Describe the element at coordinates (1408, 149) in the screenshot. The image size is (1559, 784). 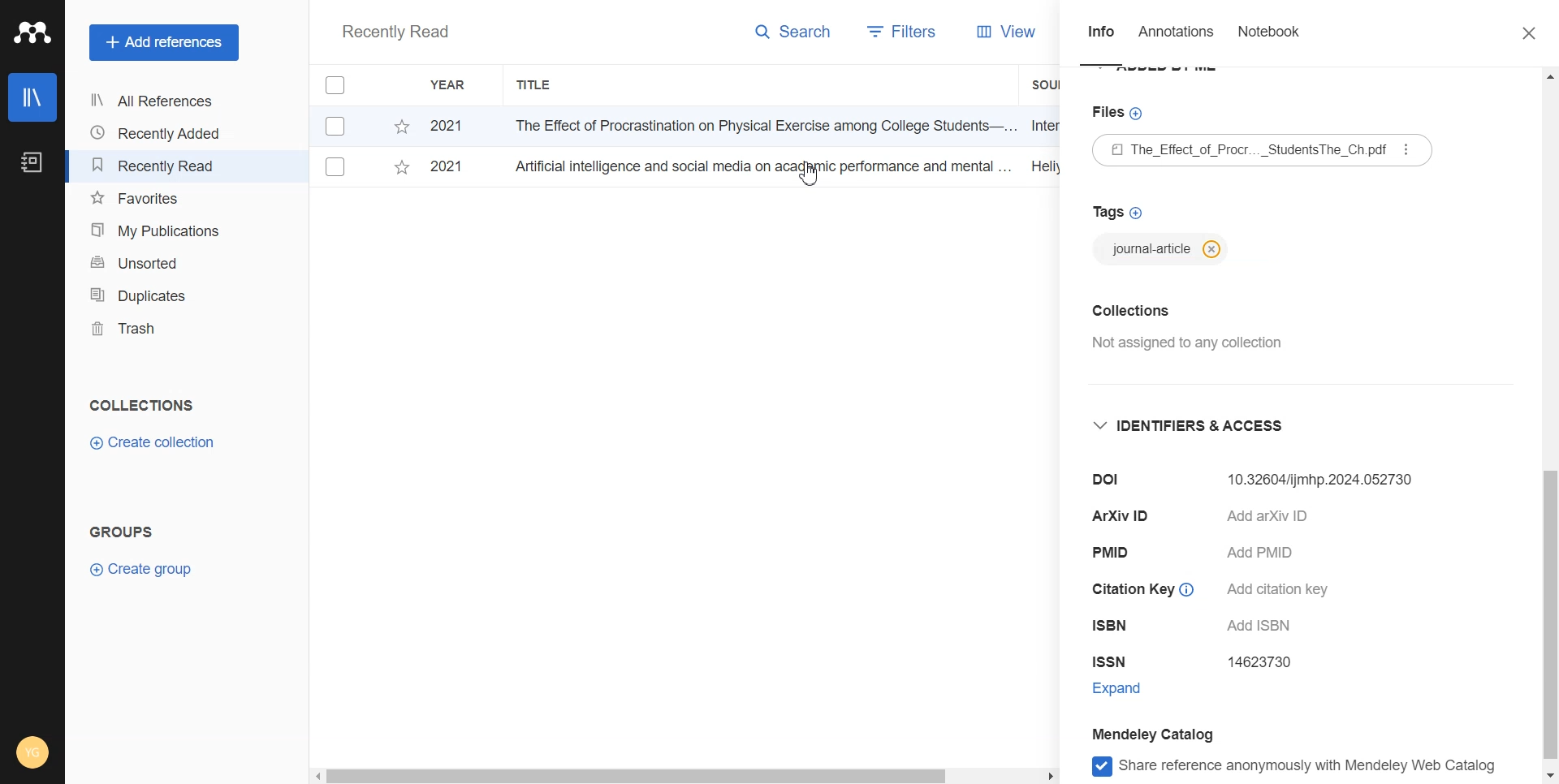
I see `More` at that location.